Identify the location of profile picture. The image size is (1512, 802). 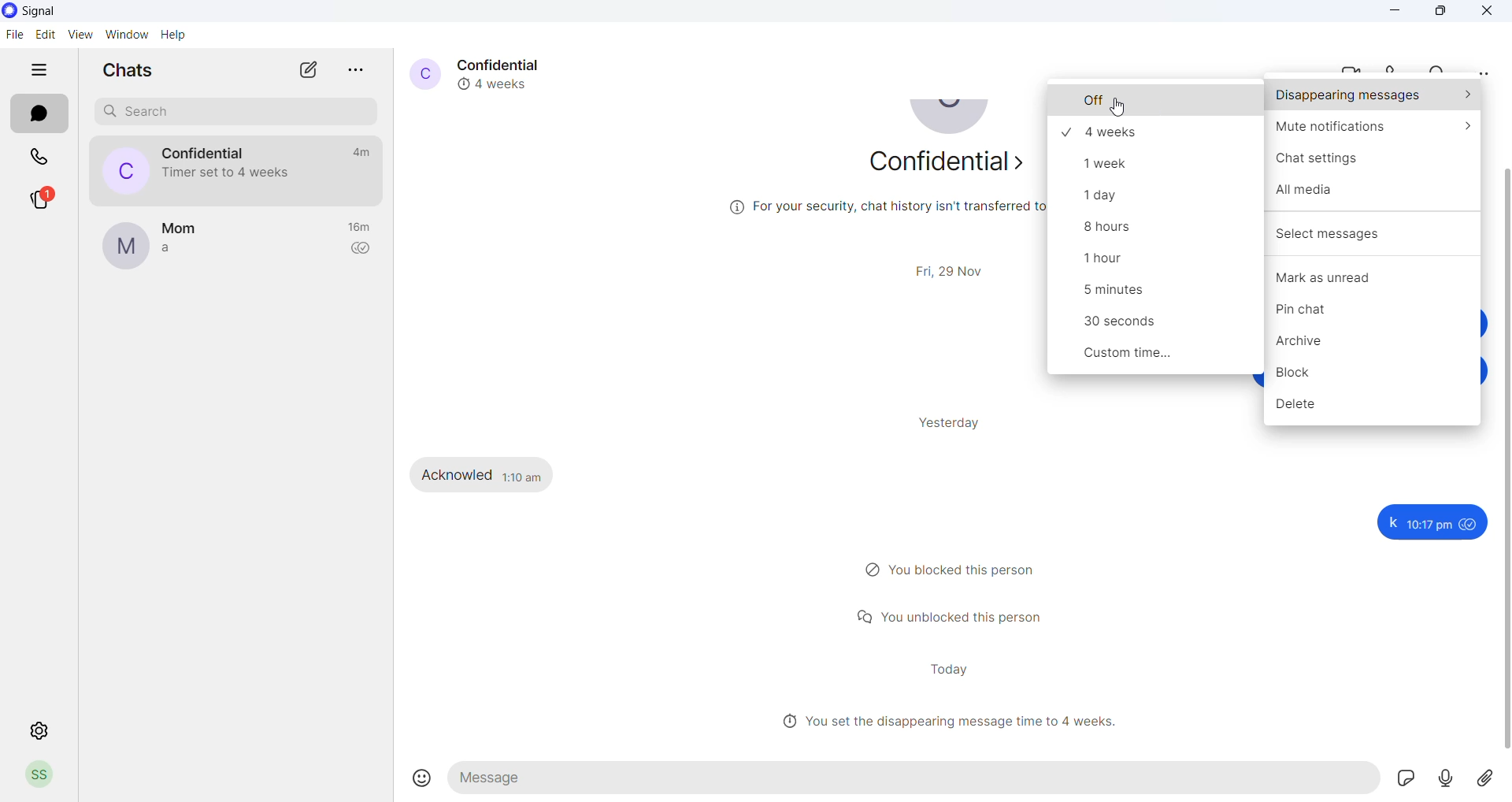
(421, 72).